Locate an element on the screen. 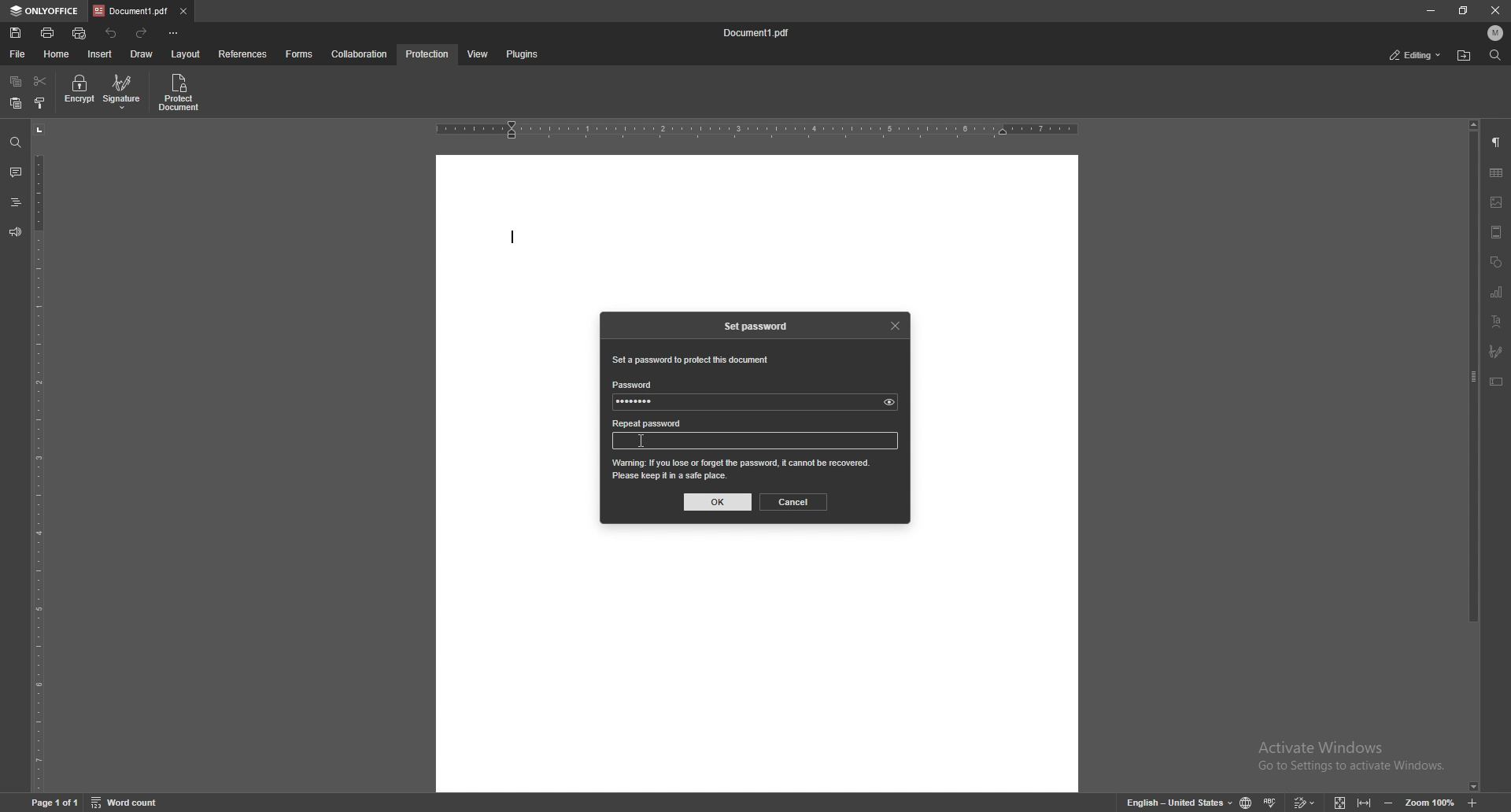  spell check is located at coordinates (1272, 802).